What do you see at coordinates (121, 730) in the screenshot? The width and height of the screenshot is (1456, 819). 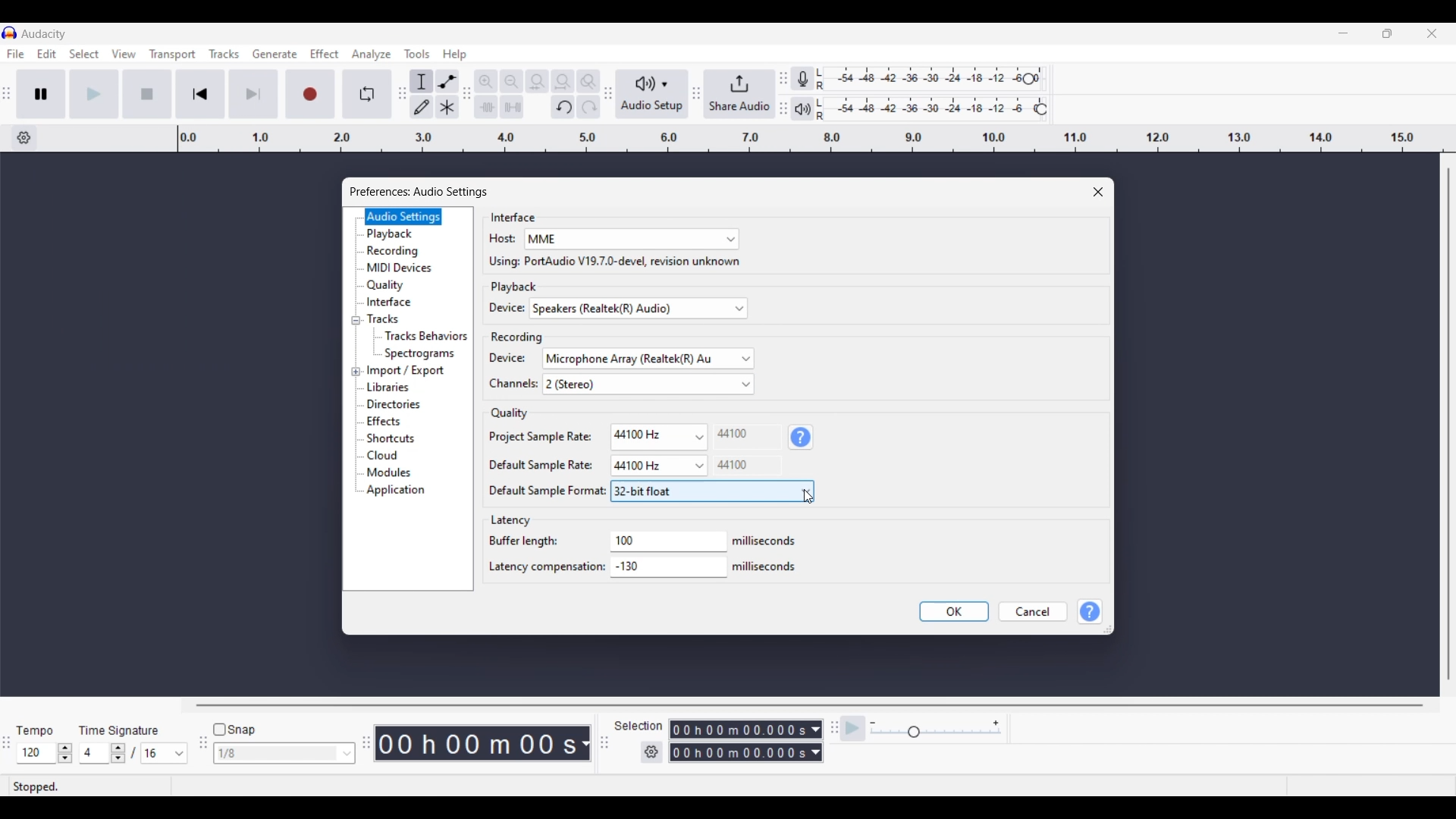 I see `Time Signature` at bounding box center [121, 730].